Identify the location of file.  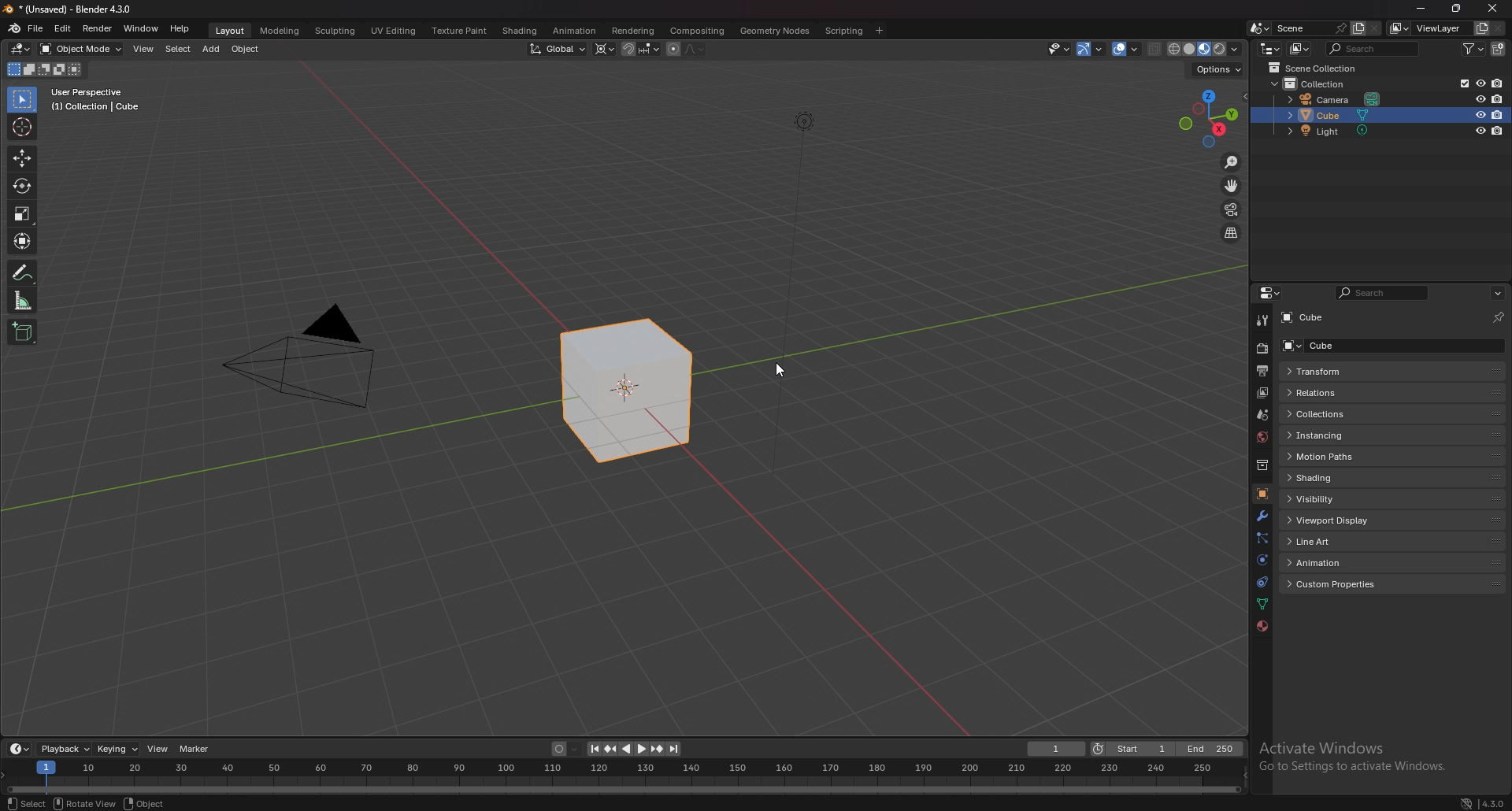
(37, 28).